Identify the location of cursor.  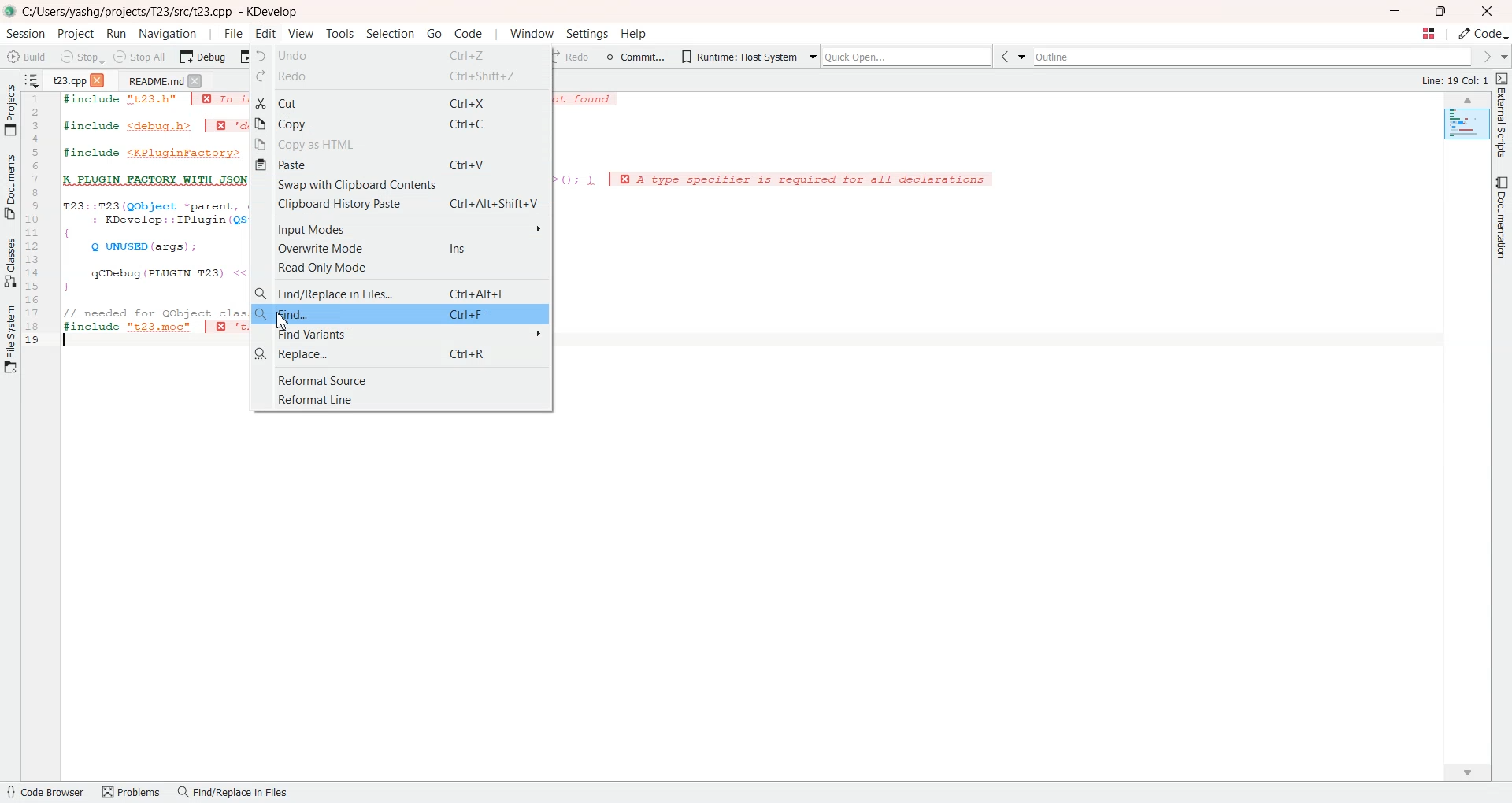
(283, 321).